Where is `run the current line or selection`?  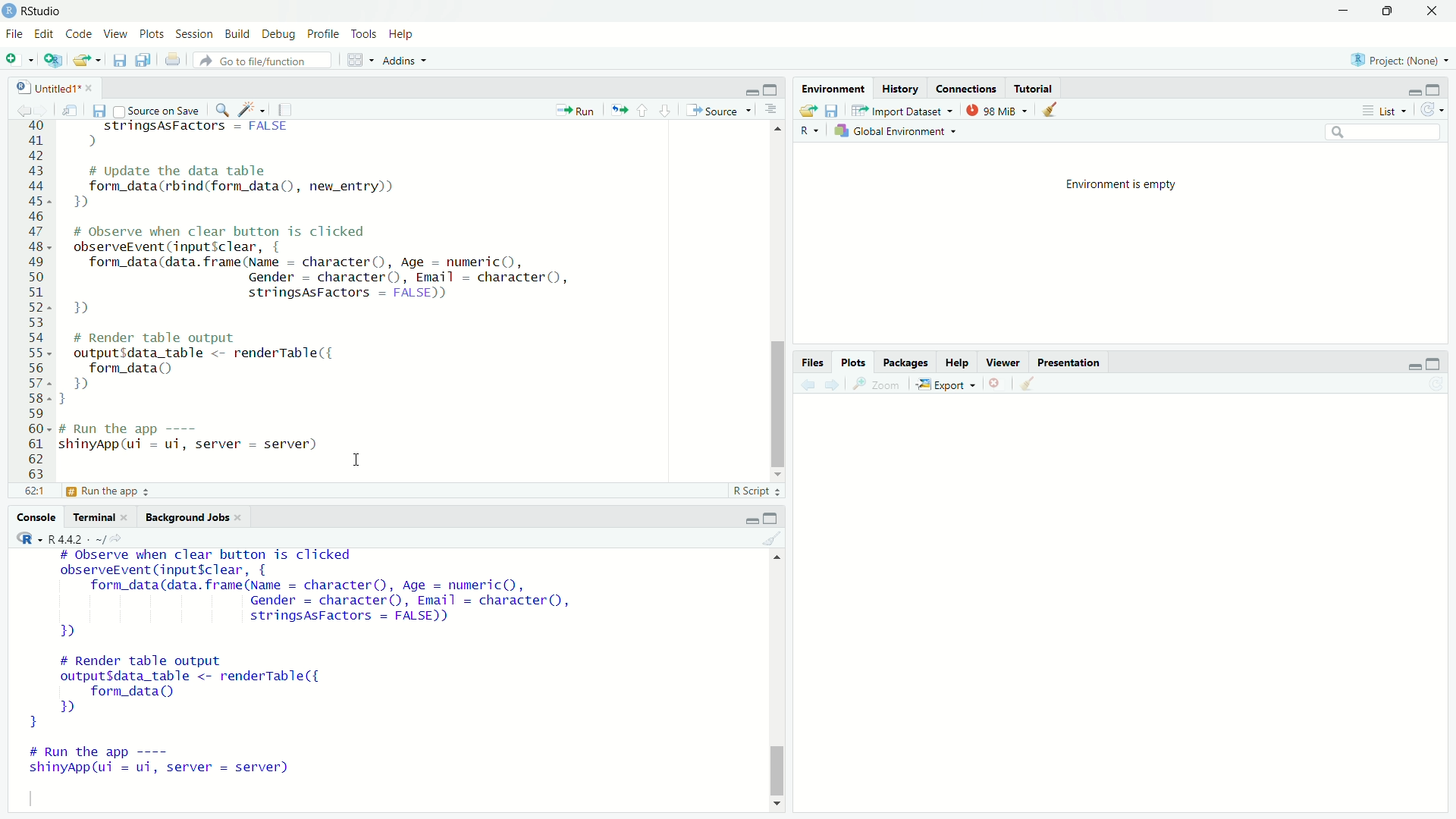
run the current line or selection is located at coordinates (573, 108).